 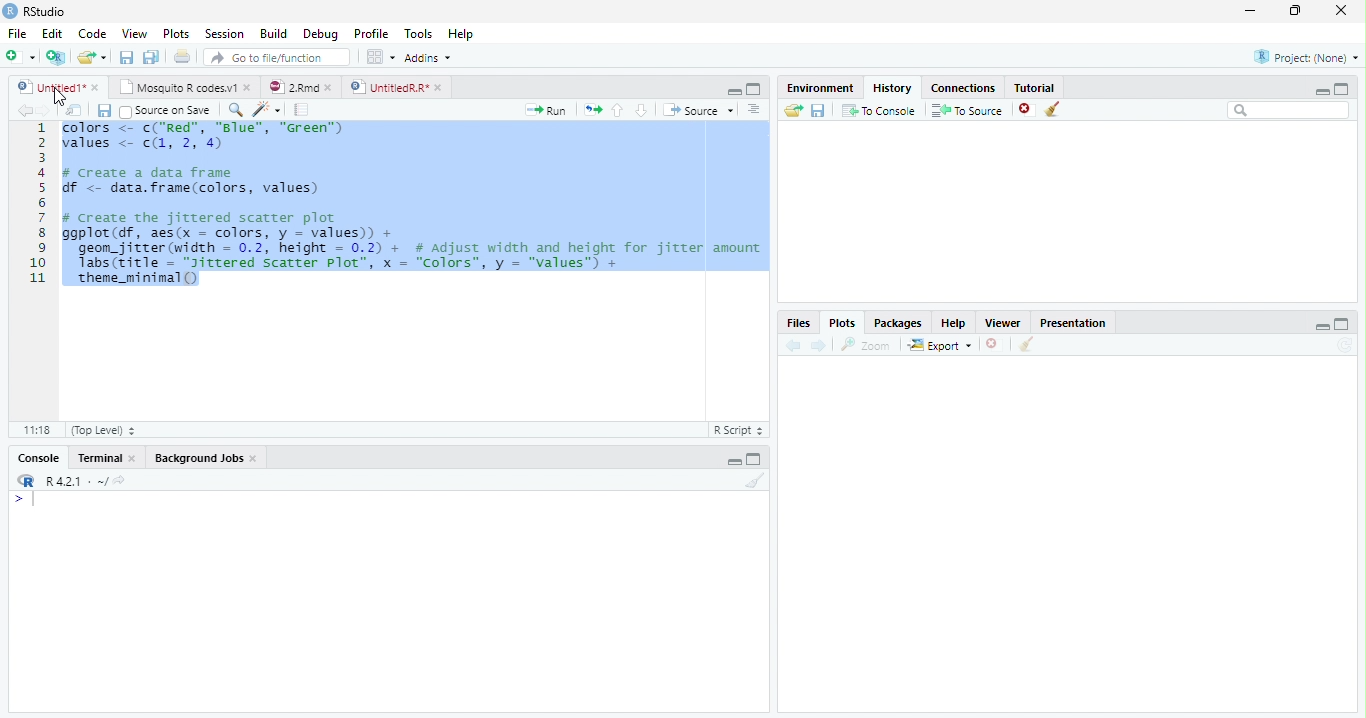 I want to click on New File, so click(x=21, y=57).